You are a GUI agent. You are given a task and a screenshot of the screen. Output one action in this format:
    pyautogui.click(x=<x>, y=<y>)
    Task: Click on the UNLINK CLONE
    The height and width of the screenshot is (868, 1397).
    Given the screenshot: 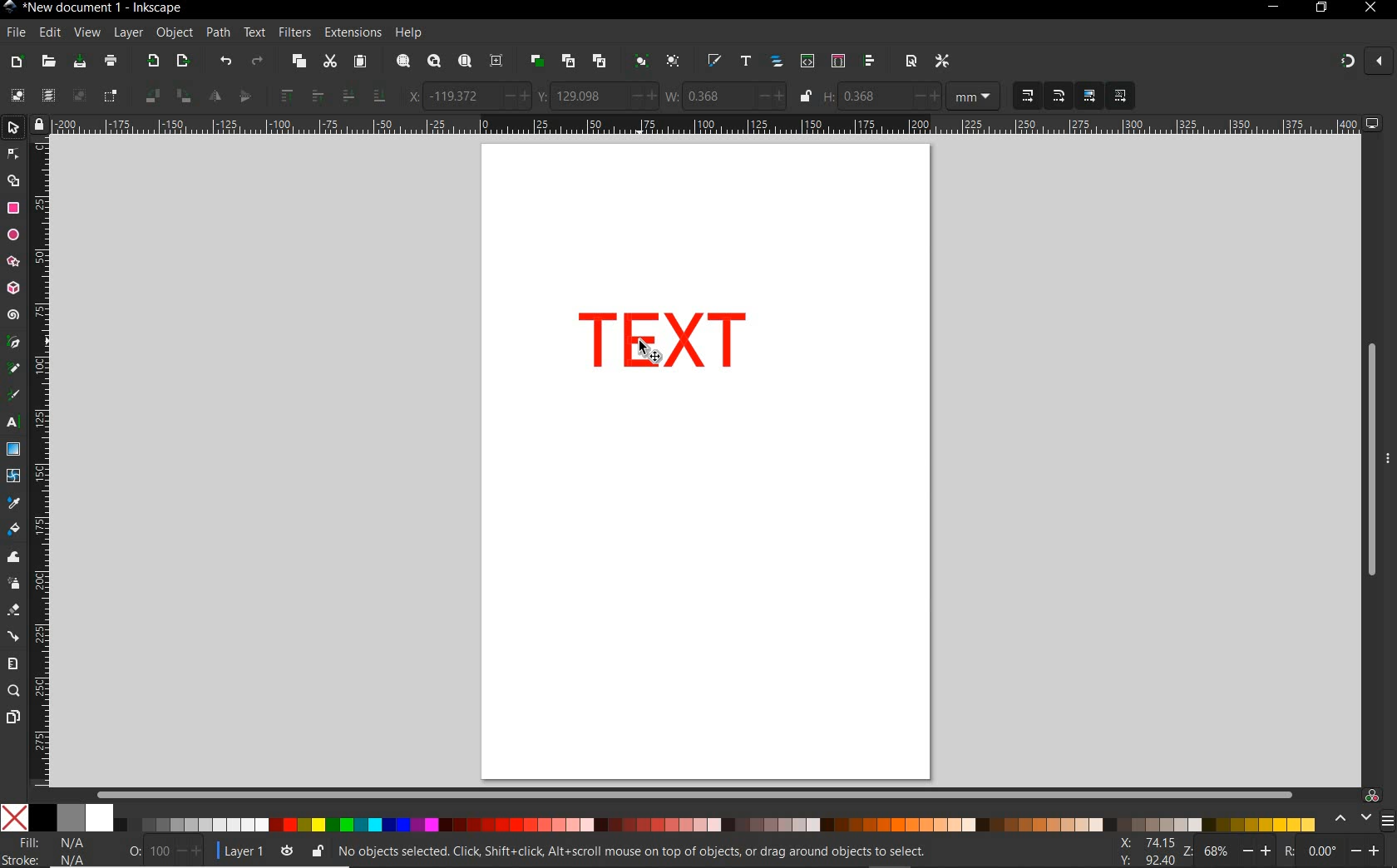 What is the action you would take?
    pyautogui.click(x=600, y=62)
    